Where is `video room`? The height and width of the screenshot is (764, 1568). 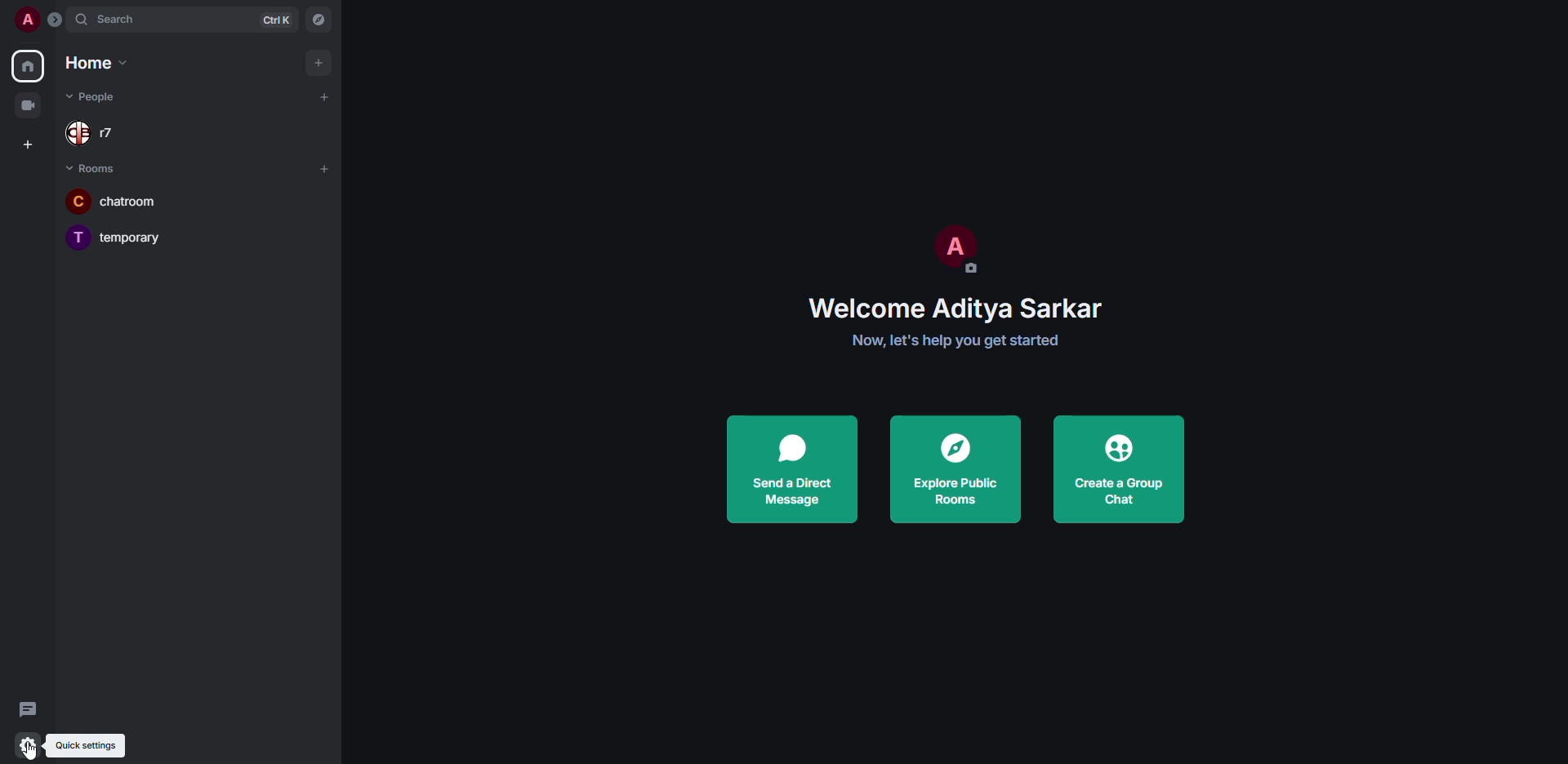 video room is located at coordinates (28, 104).